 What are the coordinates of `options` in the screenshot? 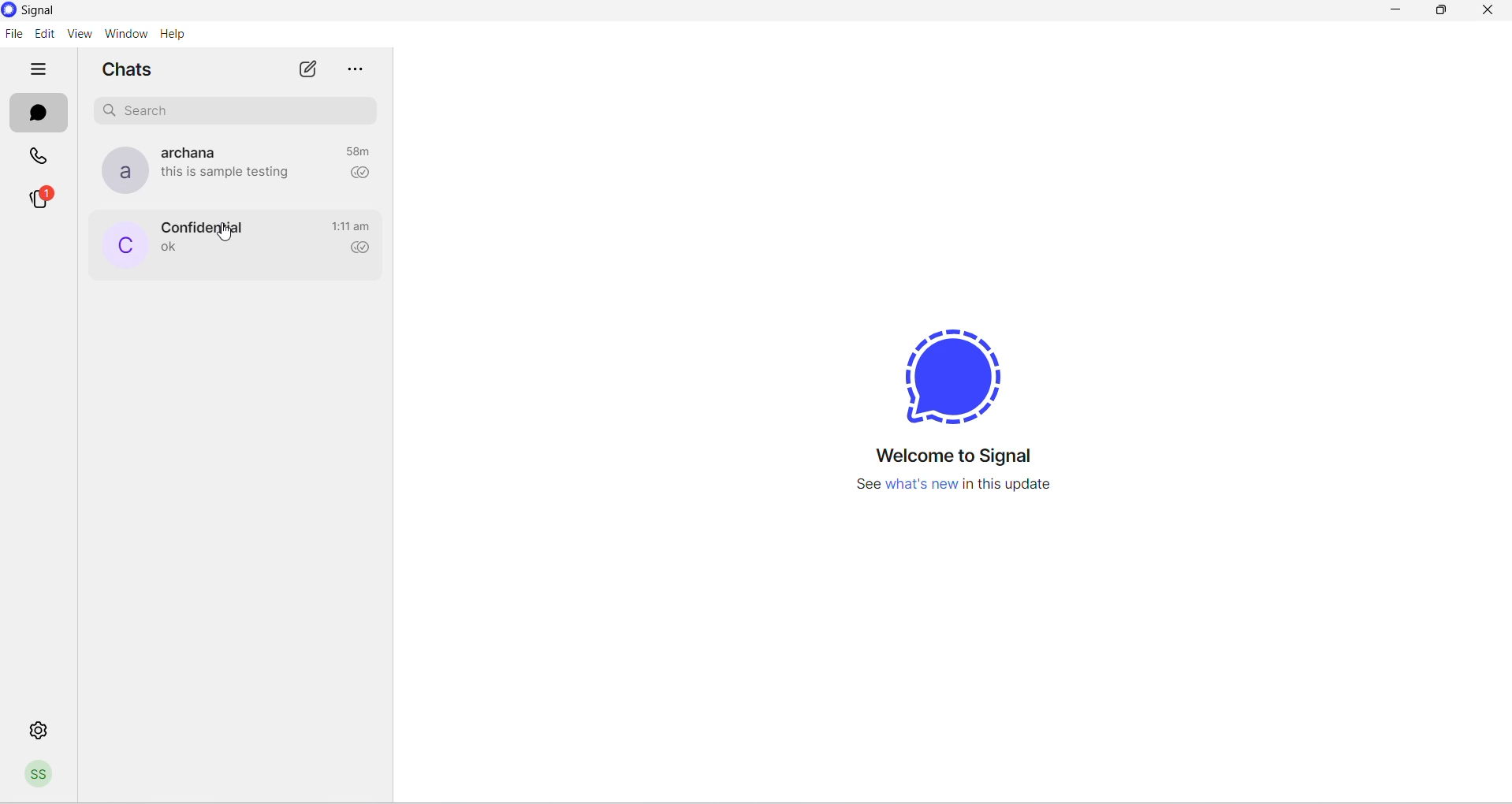 It's located at (357, 71).